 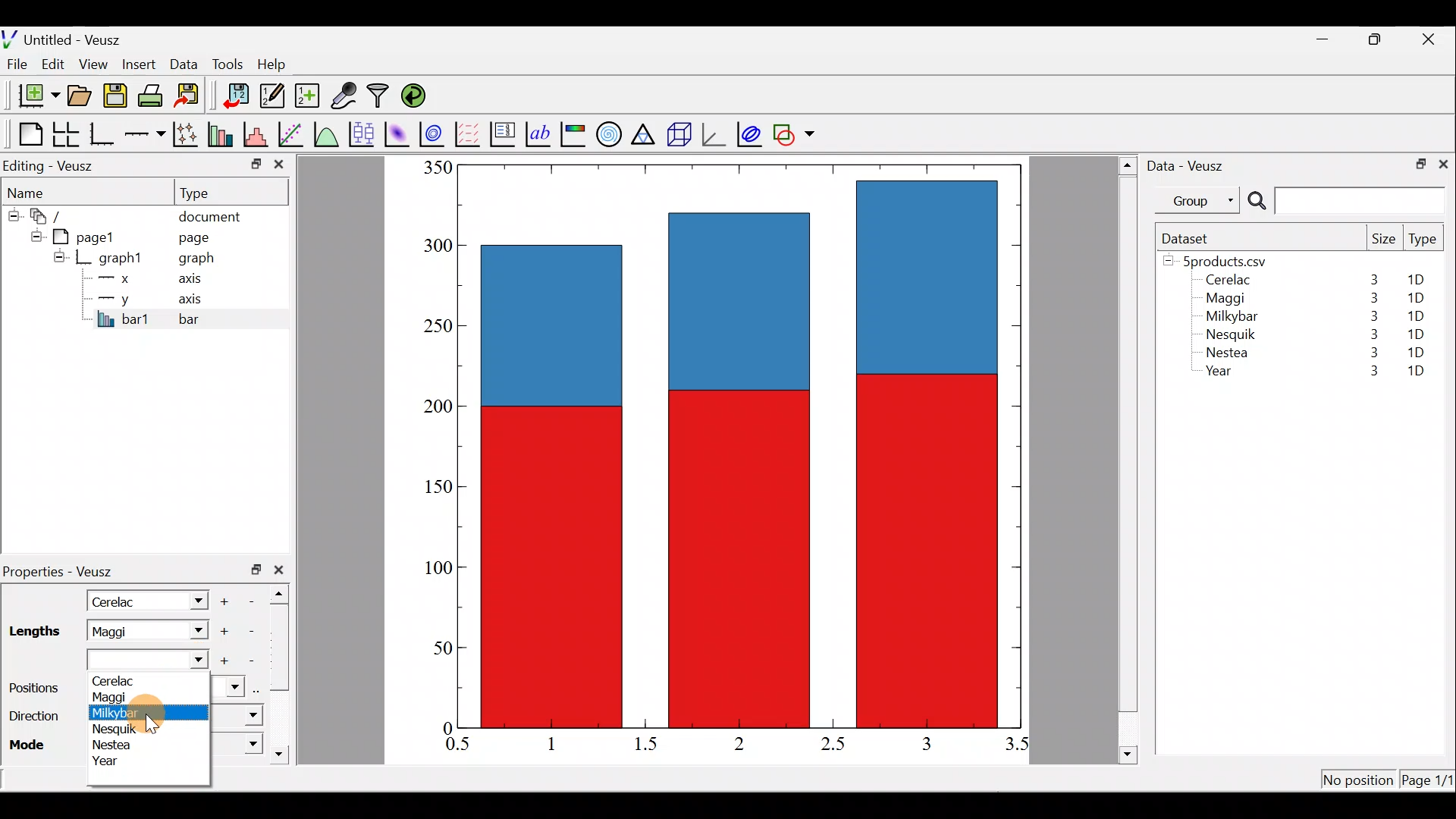 What do you see at coordinates (435, 133) in the screenshot?
I see `Plot a 2d dataset as contours` at bounding box center [435, 133].